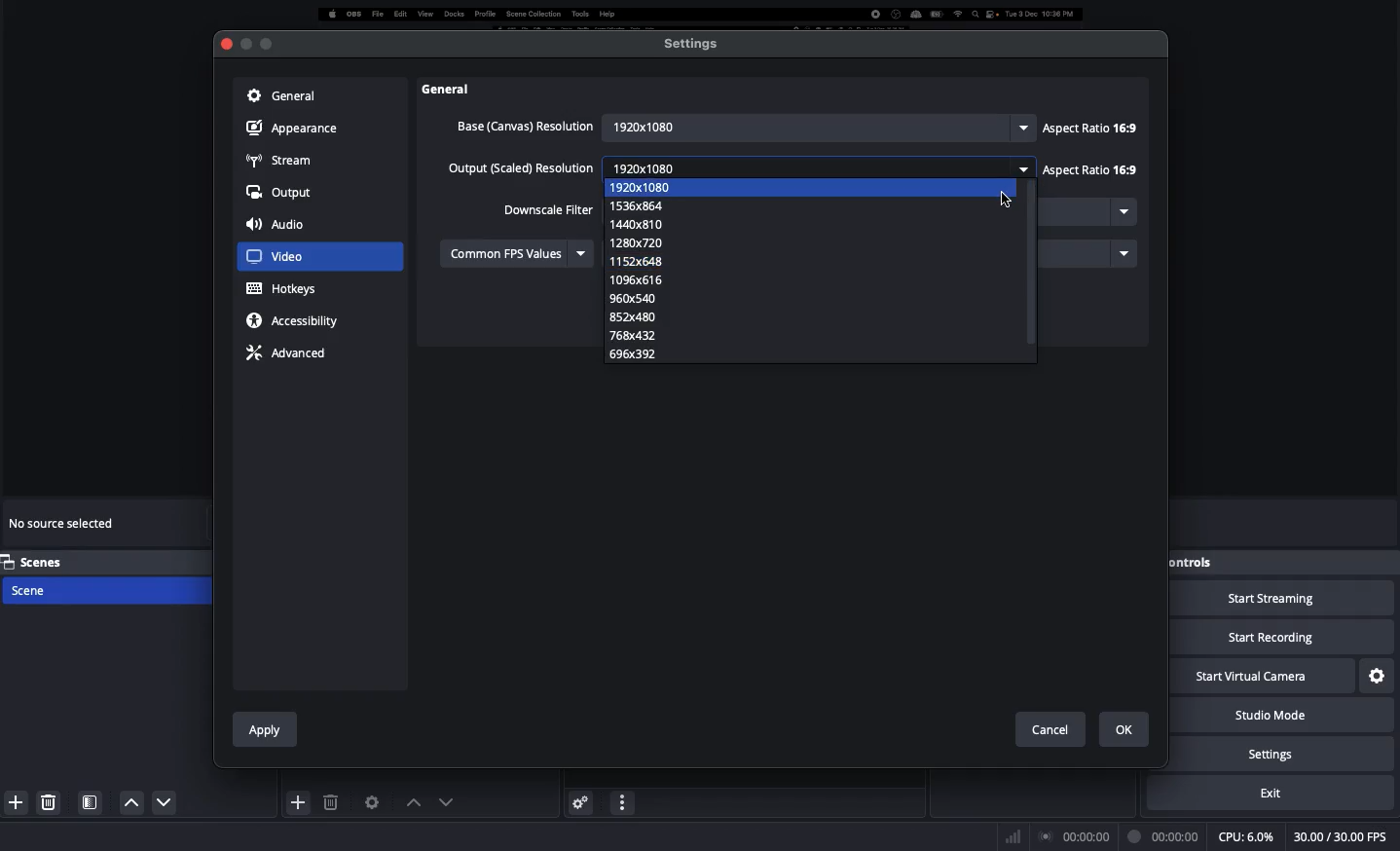 Image resolution: width=1400 pixels, height=851 pixels. Describe the element at coordinates (280, 194) in the screenshot. I see `Output` at that location.